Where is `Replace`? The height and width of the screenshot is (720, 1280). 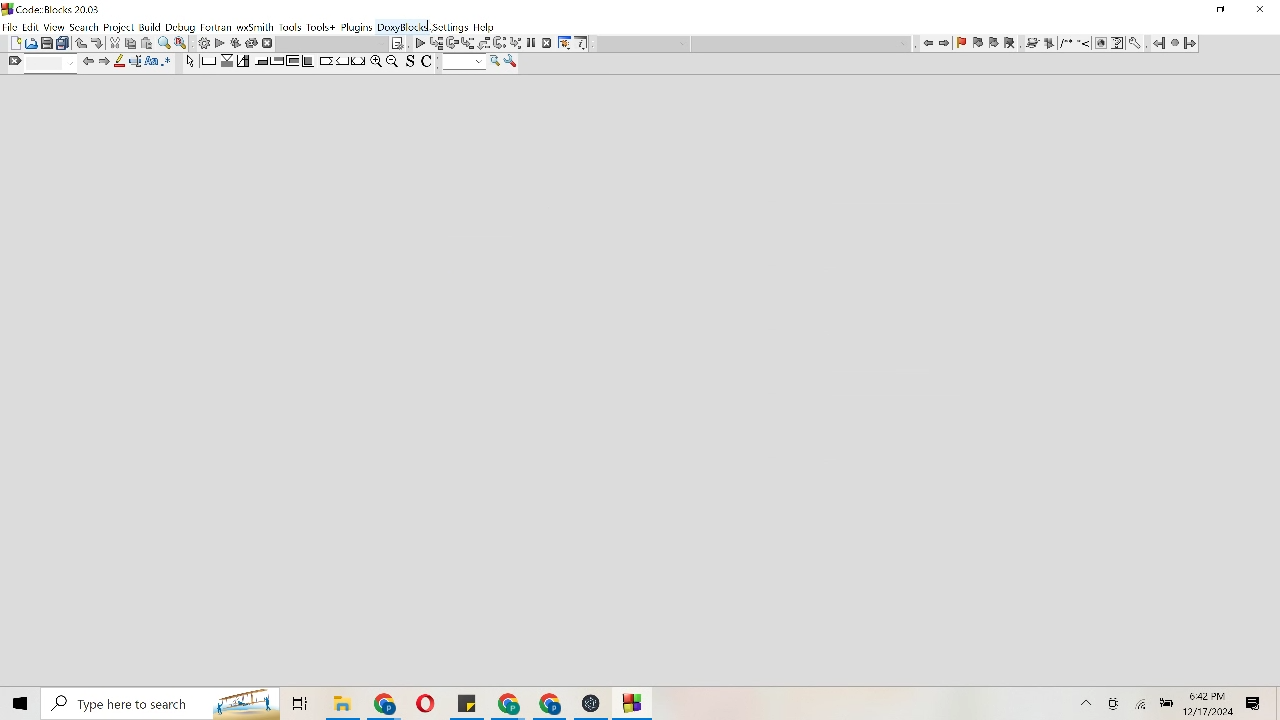
Replace is located at coordinates (182, 43).